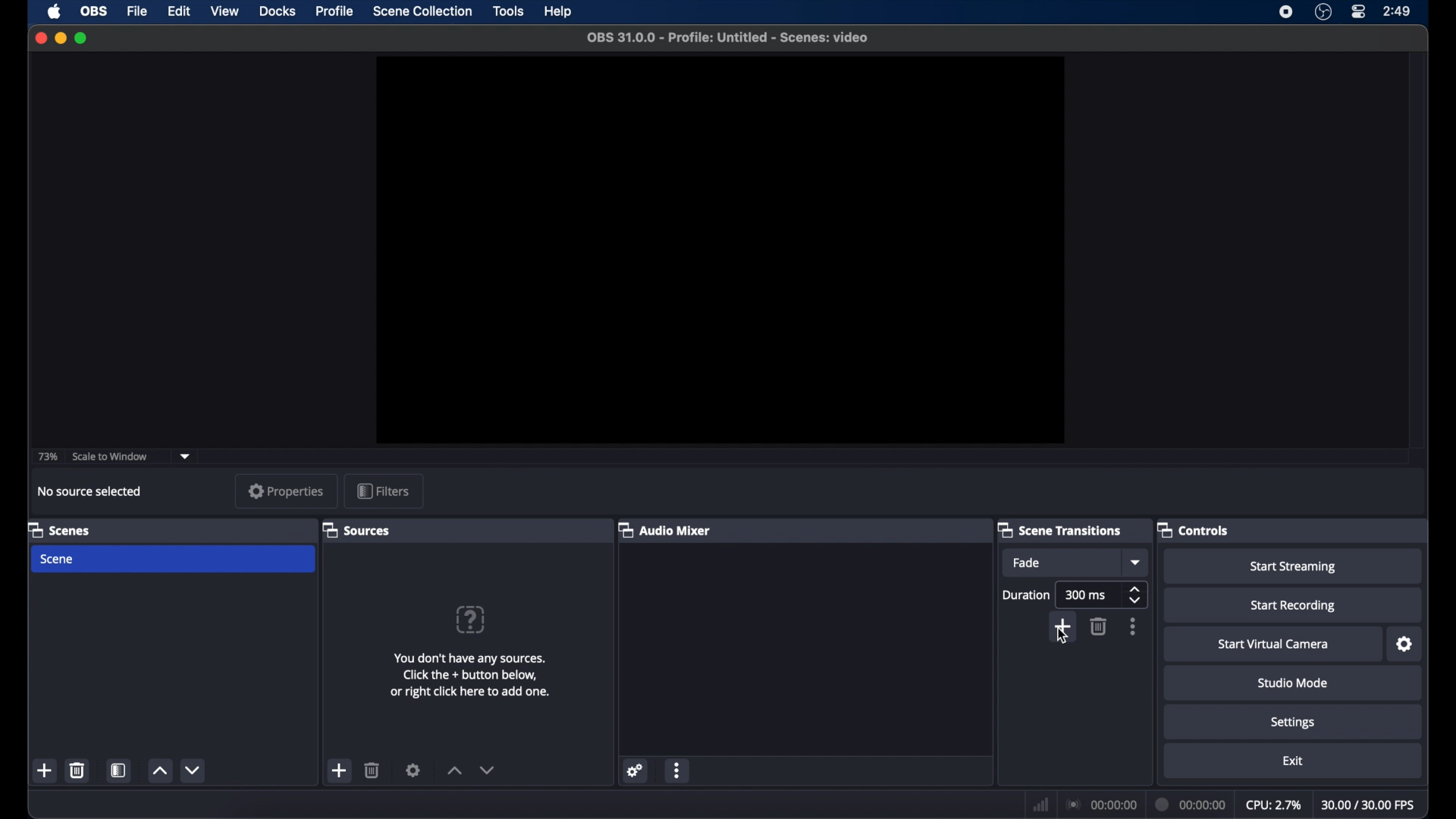  Describe the element at coordinates (1060, 529) in the screenshot. I see `scene transitions` at that location.